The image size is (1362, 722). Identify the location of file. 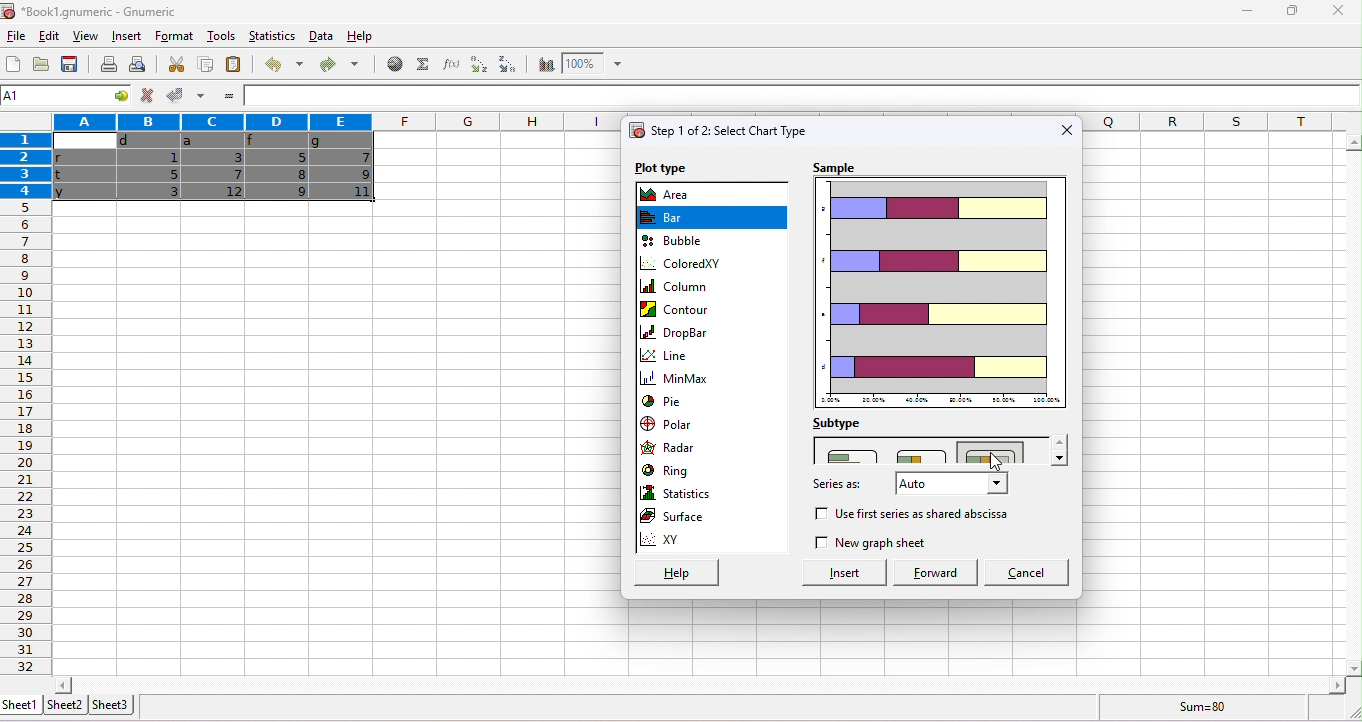
(14, 36).